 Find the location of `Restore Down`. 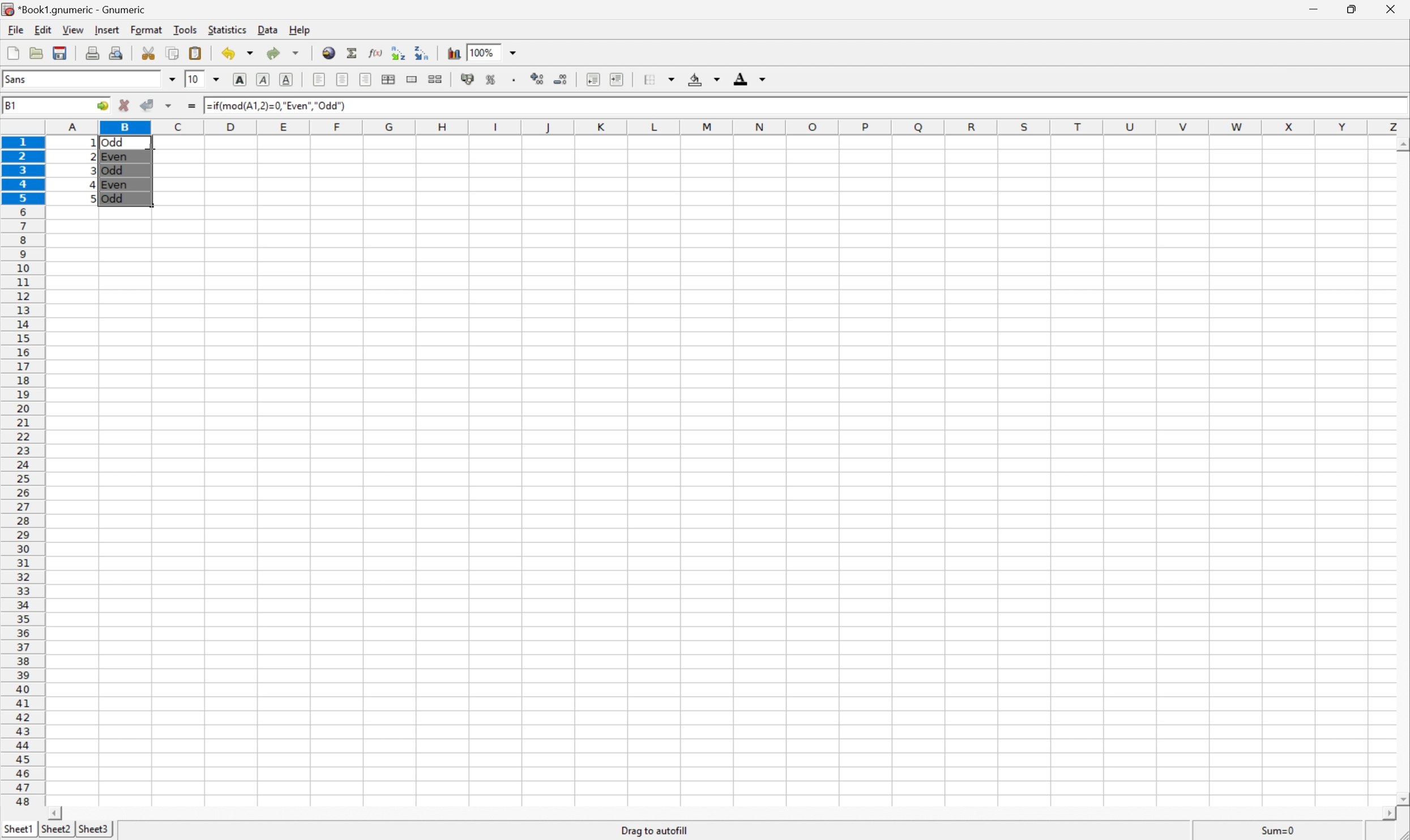

Restore Down is located at coordinates (1354, 7).